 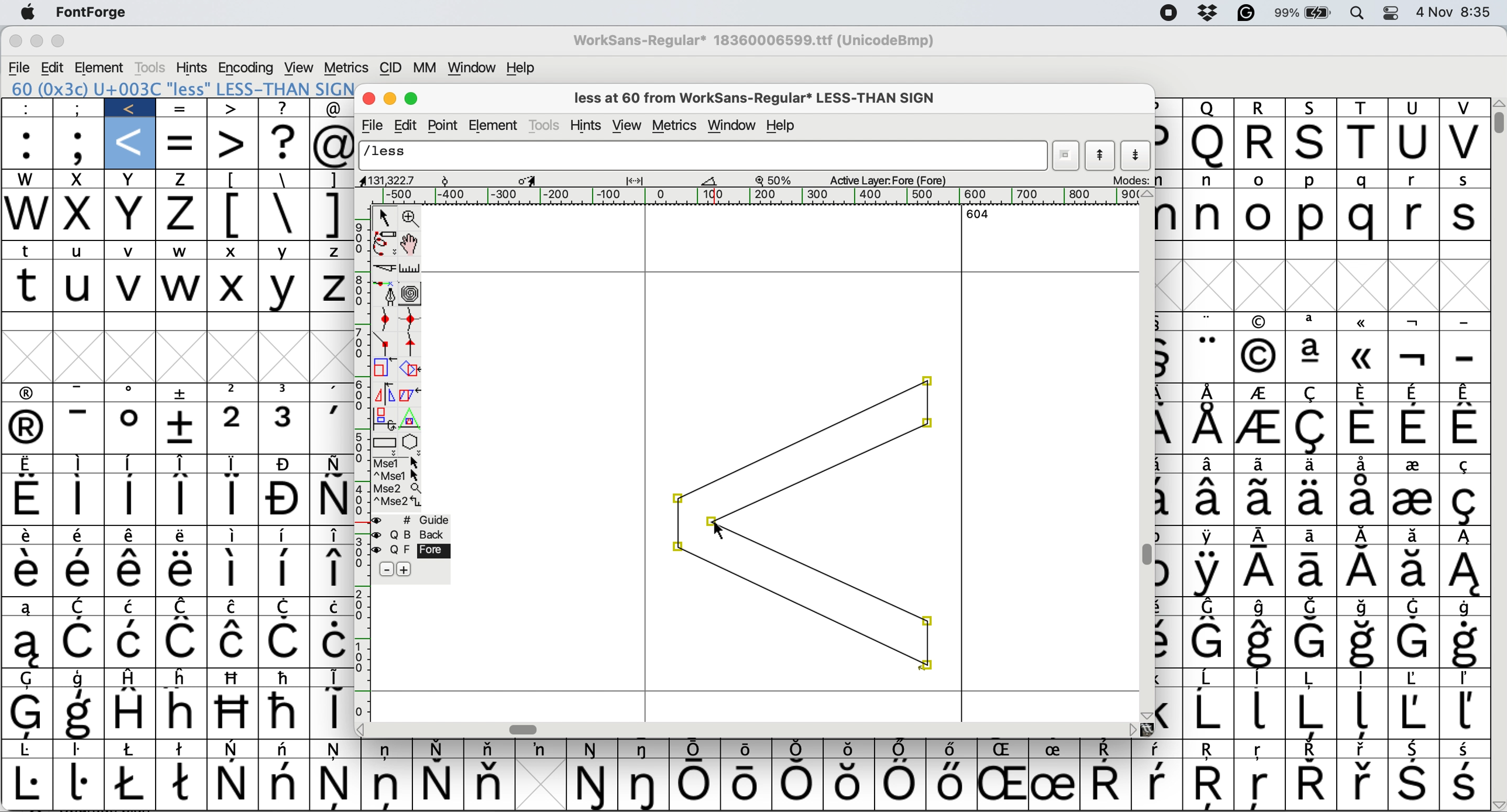 I want to click on 2, so click(x=234, y=428).